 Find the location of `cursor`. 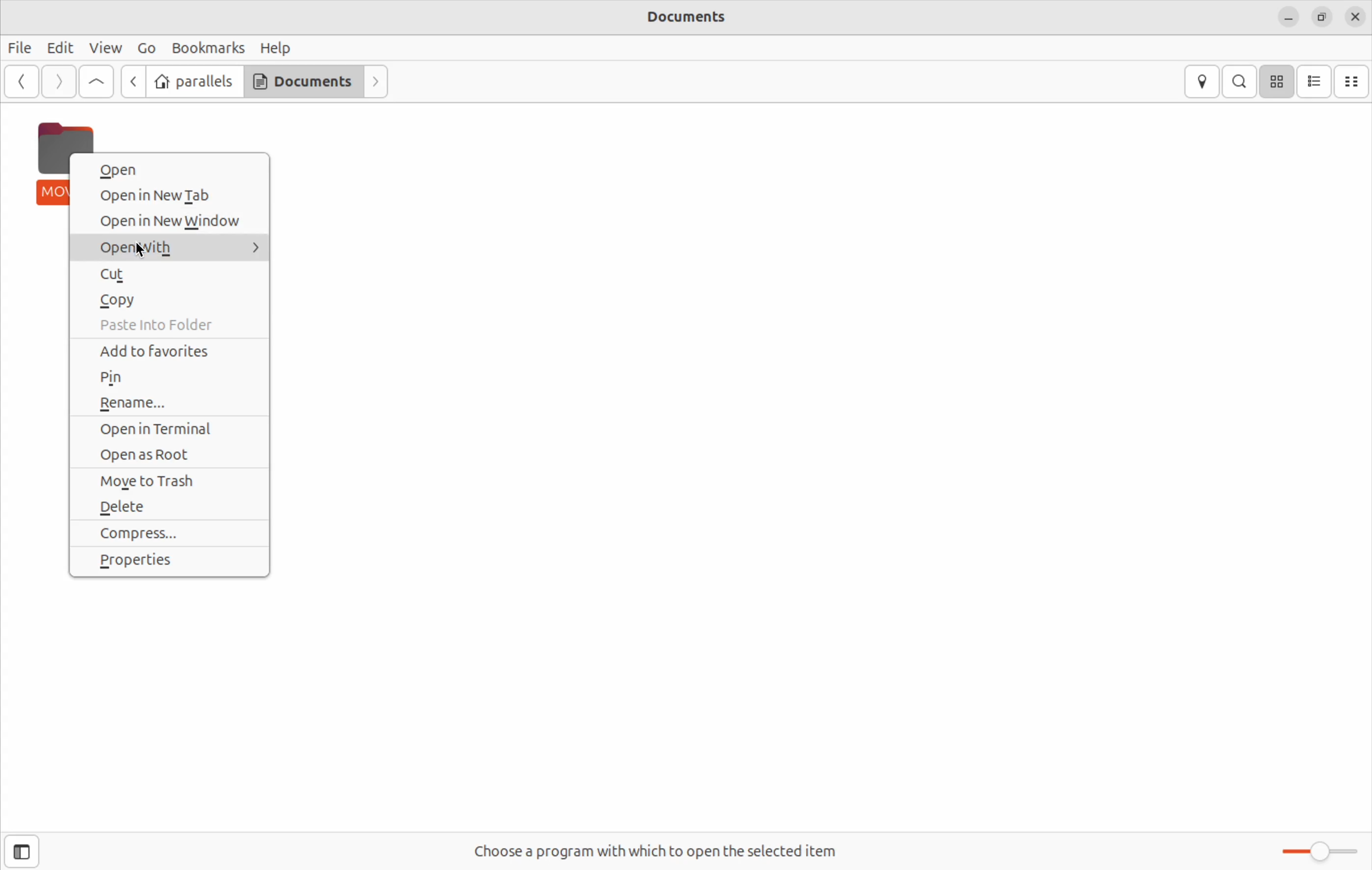

cursor is located at coordinates (143, 251).